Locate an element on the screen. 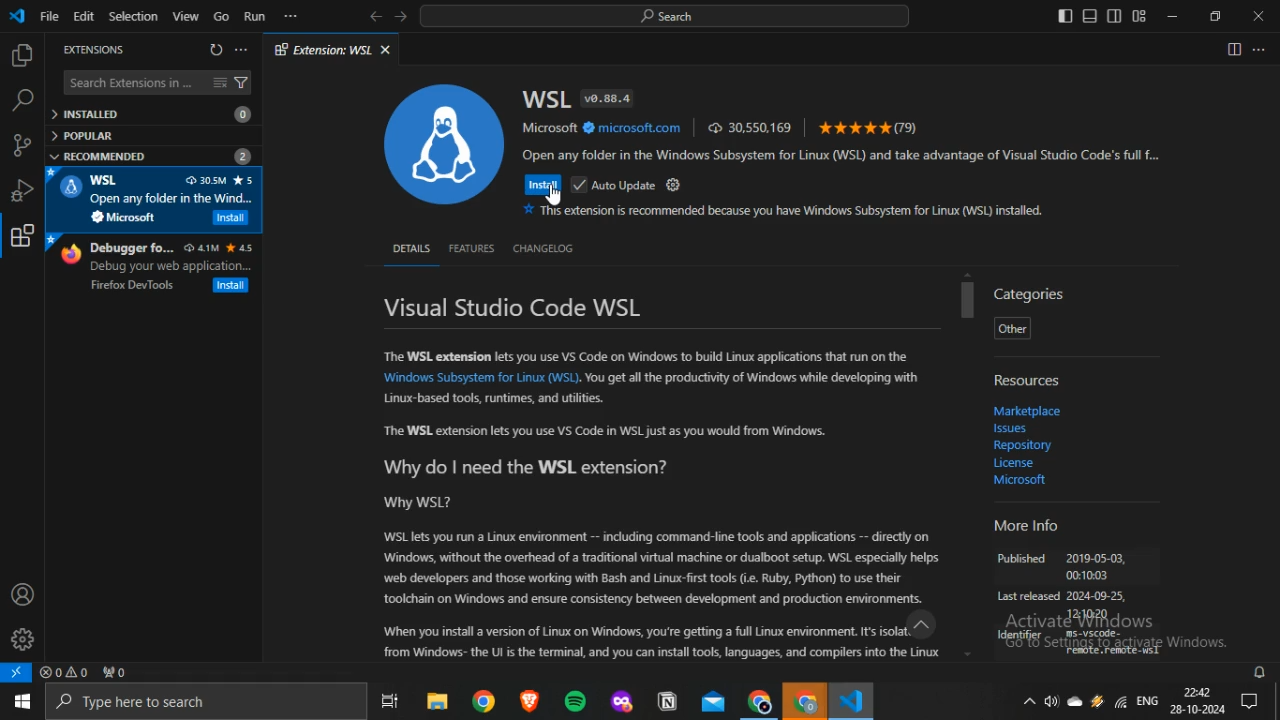 Image resolution: width=1280 pixels, height=720 pixels. outlook is located at coordinates (715, 701).